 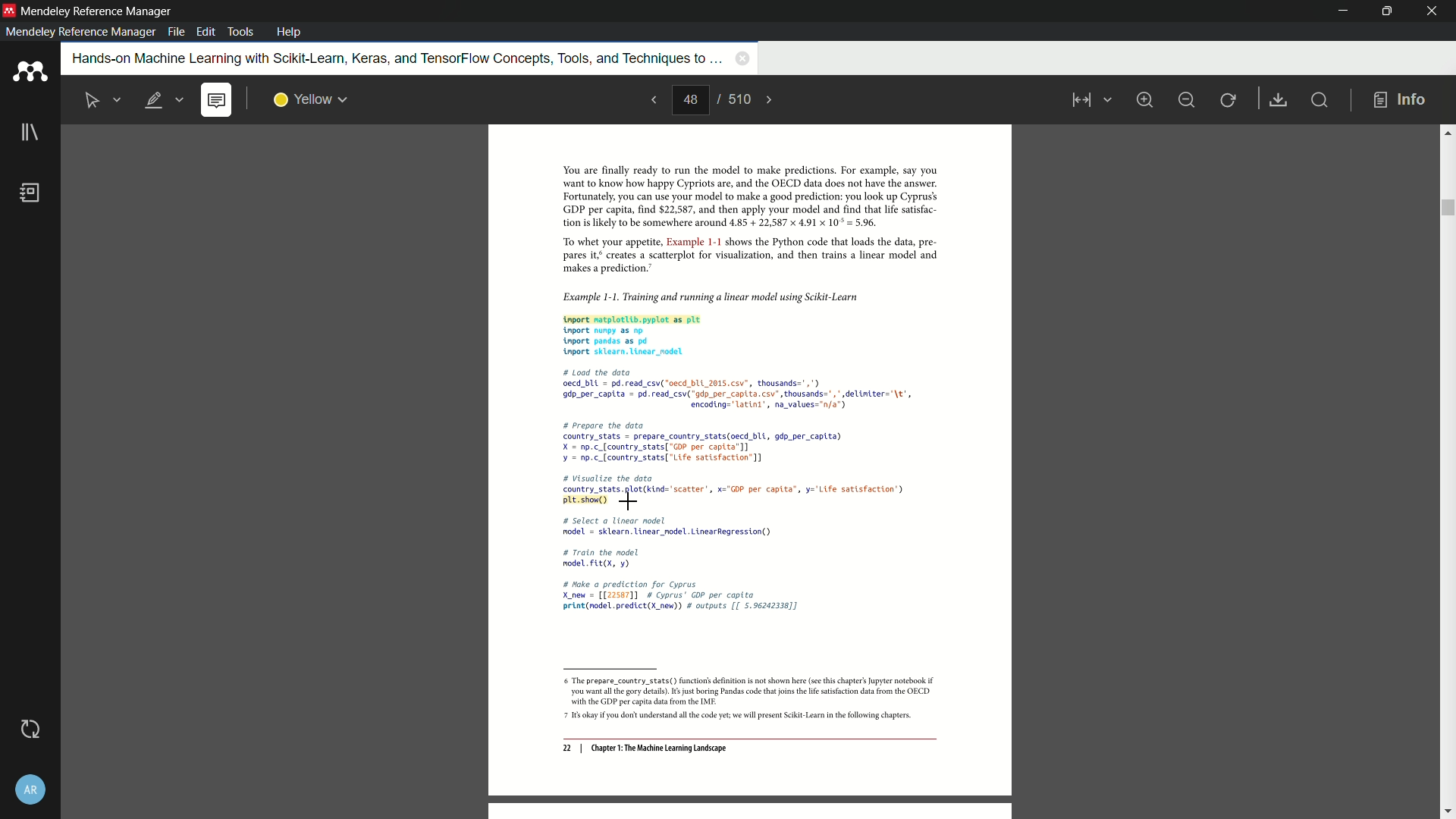 I want to click on # Load the data

oecd_bUL = pd. read_csv("oecd_bLL 2015.csv”, thousands=",")

9dp_per_captta = pd.read_csv("gdp_per capita. csv’, thousands=",* delintter="\t',
encoding="latini’, na_values="n/a")

# prepare the data

country_stats = prepare_country_stats(aecd bli, gdp_per capita)

X = np.c_[country_stats[ "GOP per captta’]]

¥ = np.c_(country_stats[ "Life satisfaction]

# Visualize the dota

country_stats. plot(kind="scatter, x="G0P per capita”, y='Life satisfaction’)

pt. show()

# select a linear nodel

nodel = sklearn. linear_nodel. LinearRegression()

# Train the model

nodelFLL(X, ¥)

# Nake a prediction for Cyprus

X_new = [[22567]] # Cyprus’ GOP per capita

print(nodel.predict(X new) # outputs [[ 5.96242338]], so click(x=741, y=493).